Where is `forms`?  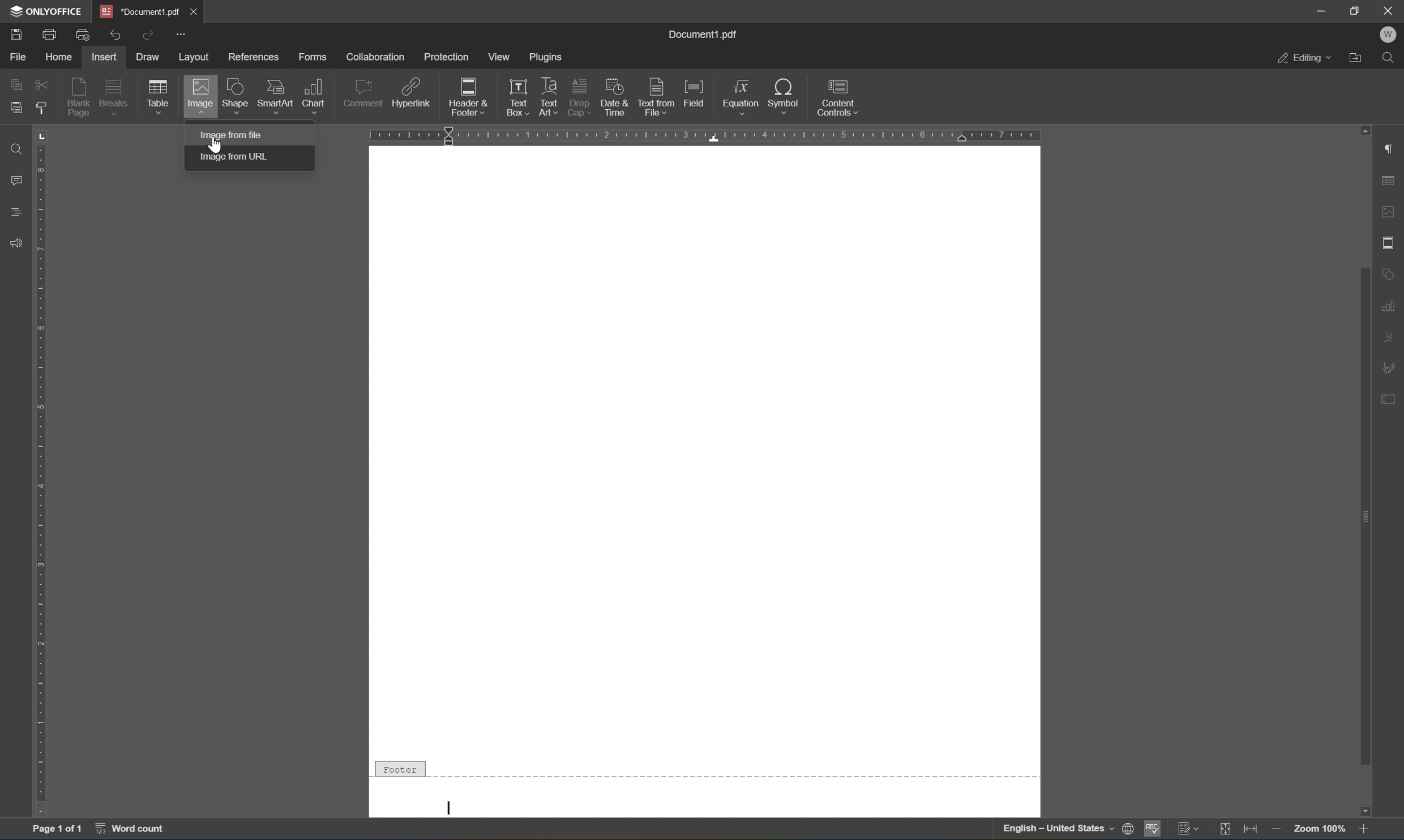
forms is located at coordinates (313, 56).